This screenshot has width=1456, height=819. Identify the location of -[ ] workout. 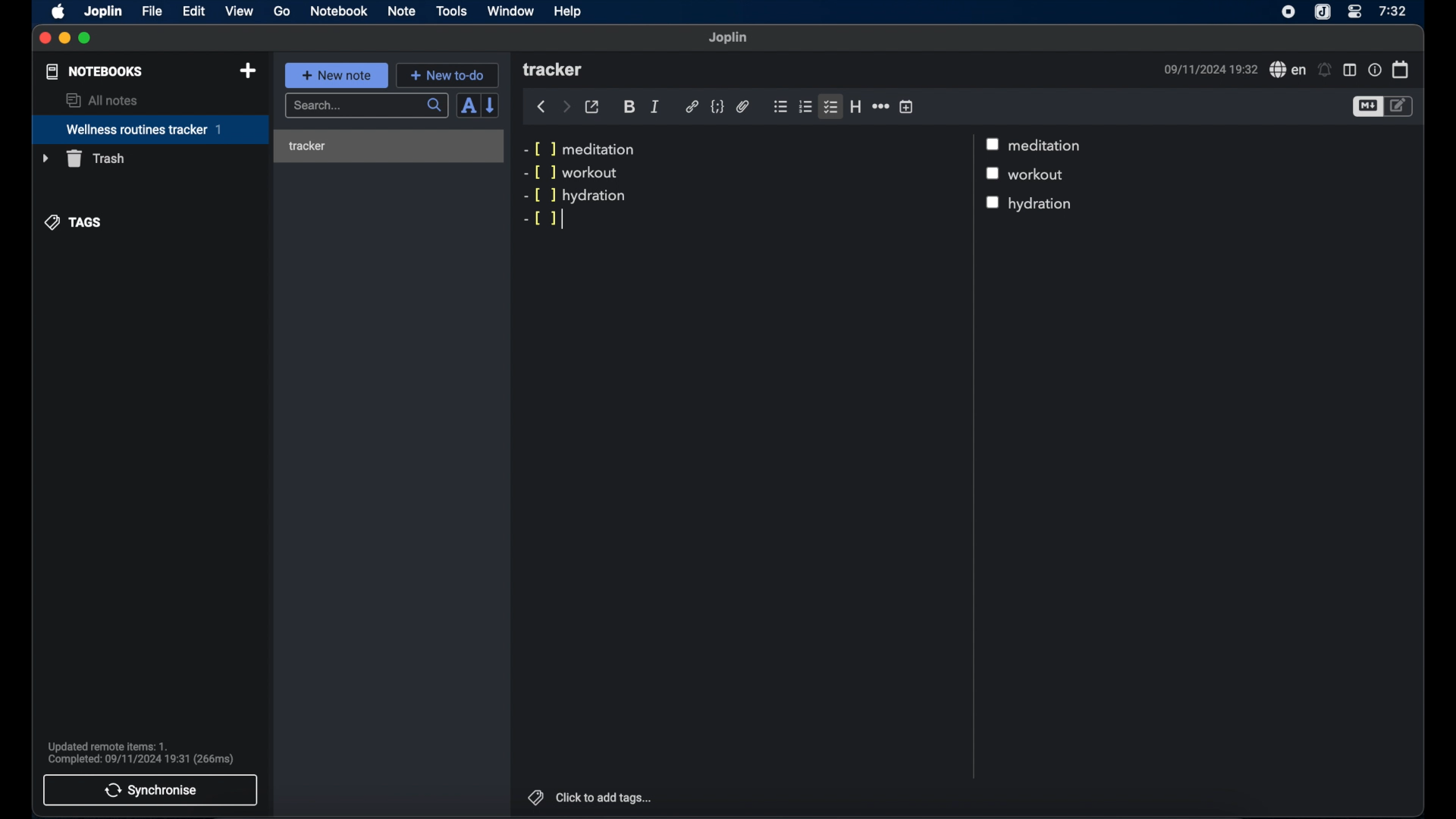
(571, 174).